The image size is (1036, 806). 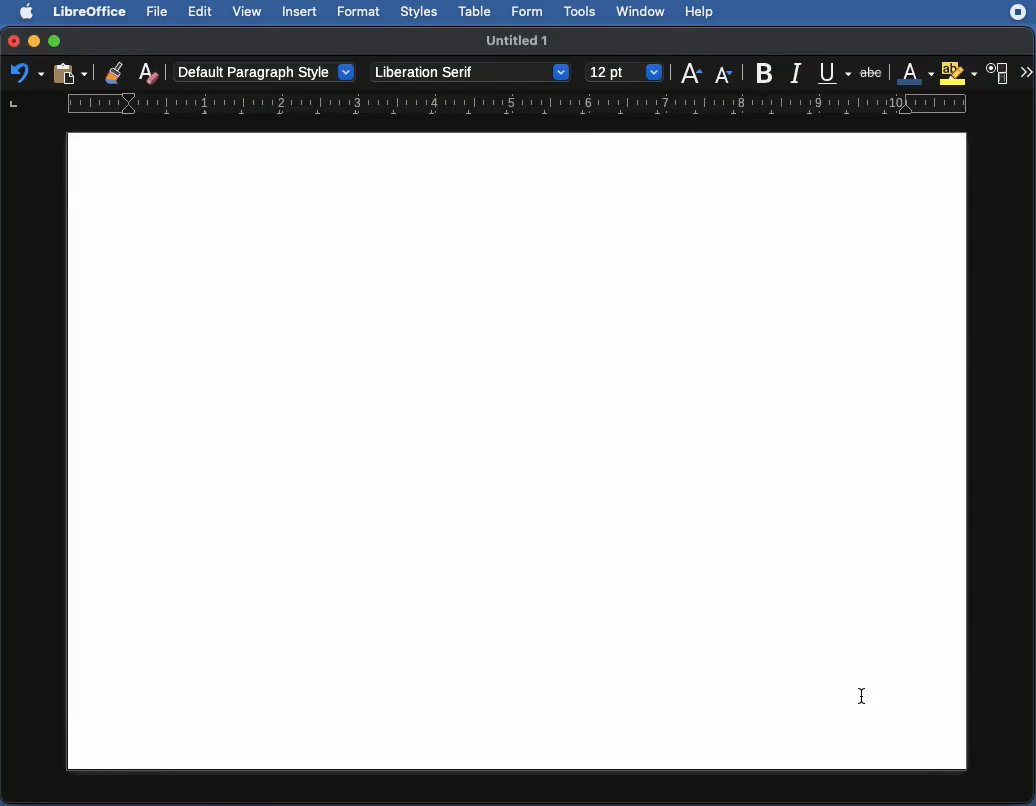 What do you see at coordinates (704, 12) in the screenshot?
I see `Help` at bounding box center [704, 12].